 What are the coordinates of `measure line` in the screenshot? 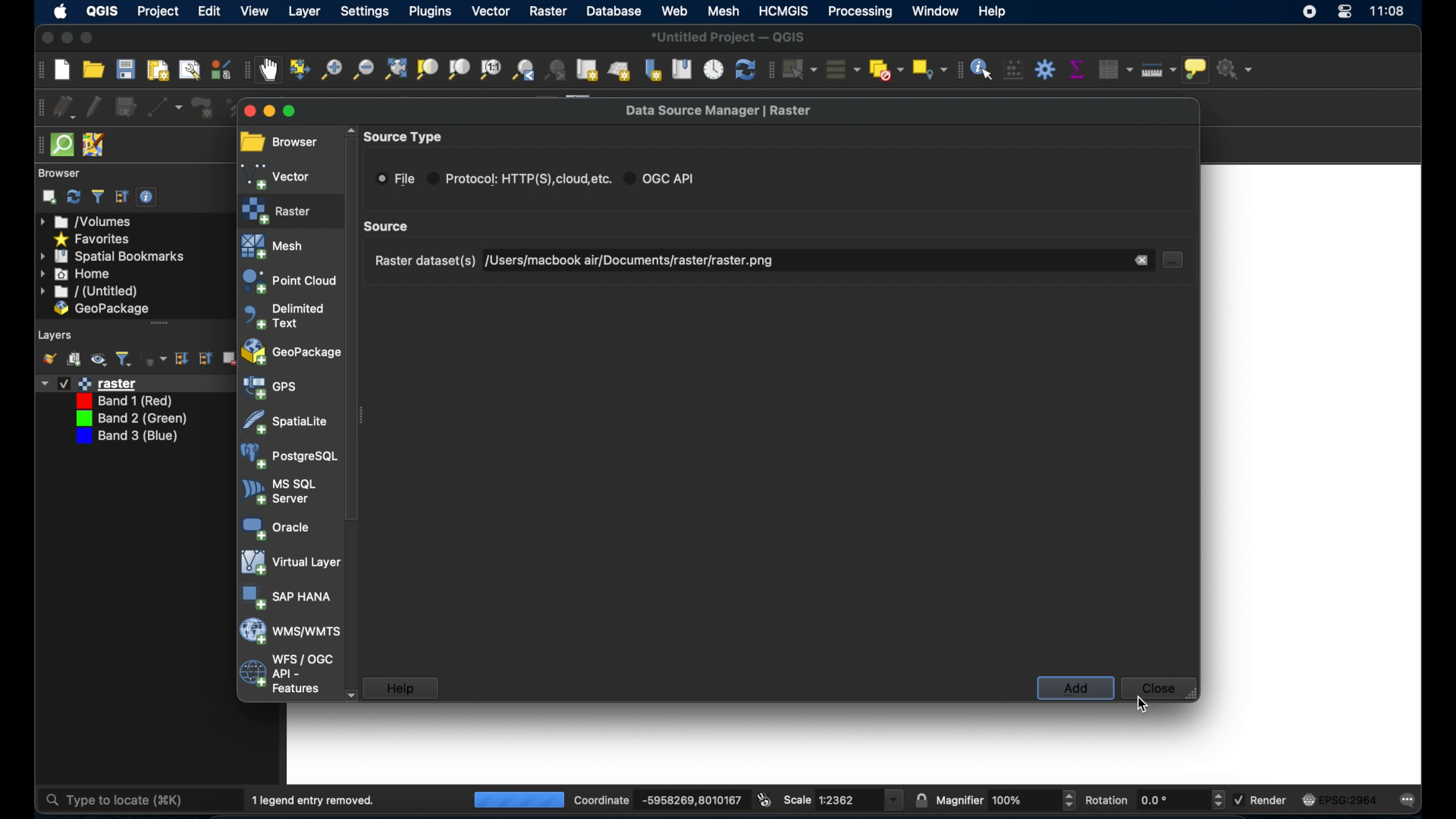 It's located at (1161, 72).